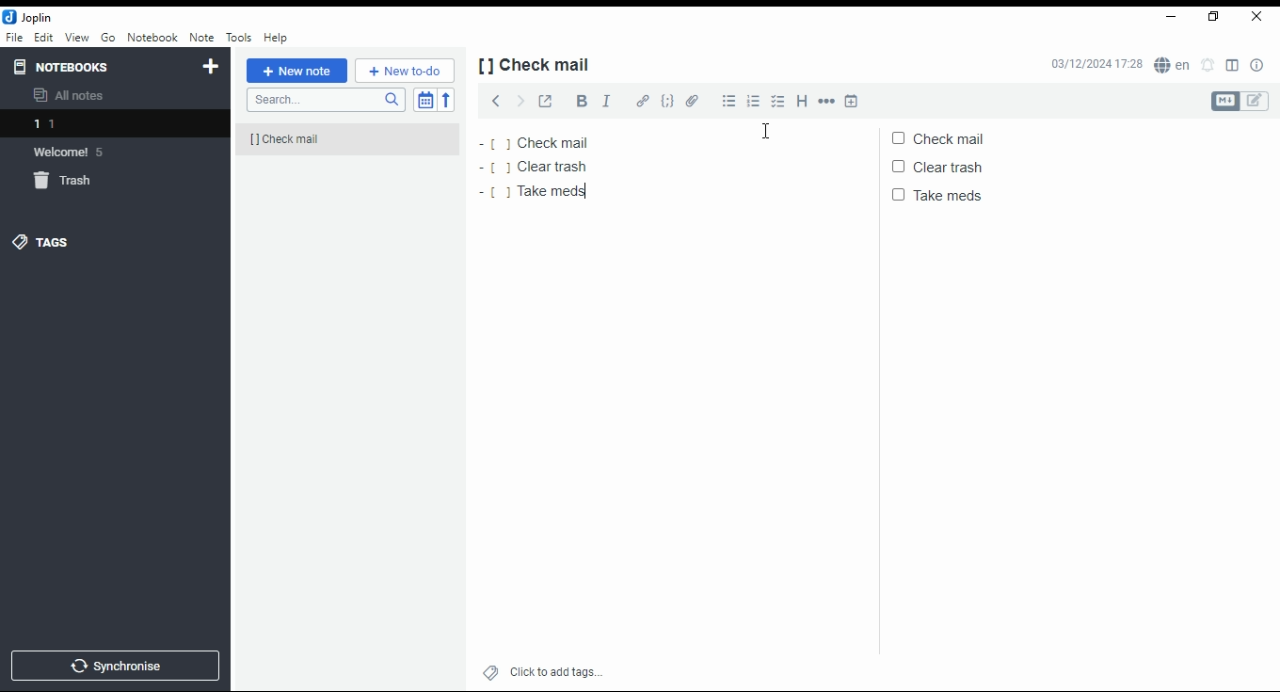 This screenshot has width=1280, height=692. Describe the element at coordinates (668, 102) in the screenshot. I see `code` at that location.